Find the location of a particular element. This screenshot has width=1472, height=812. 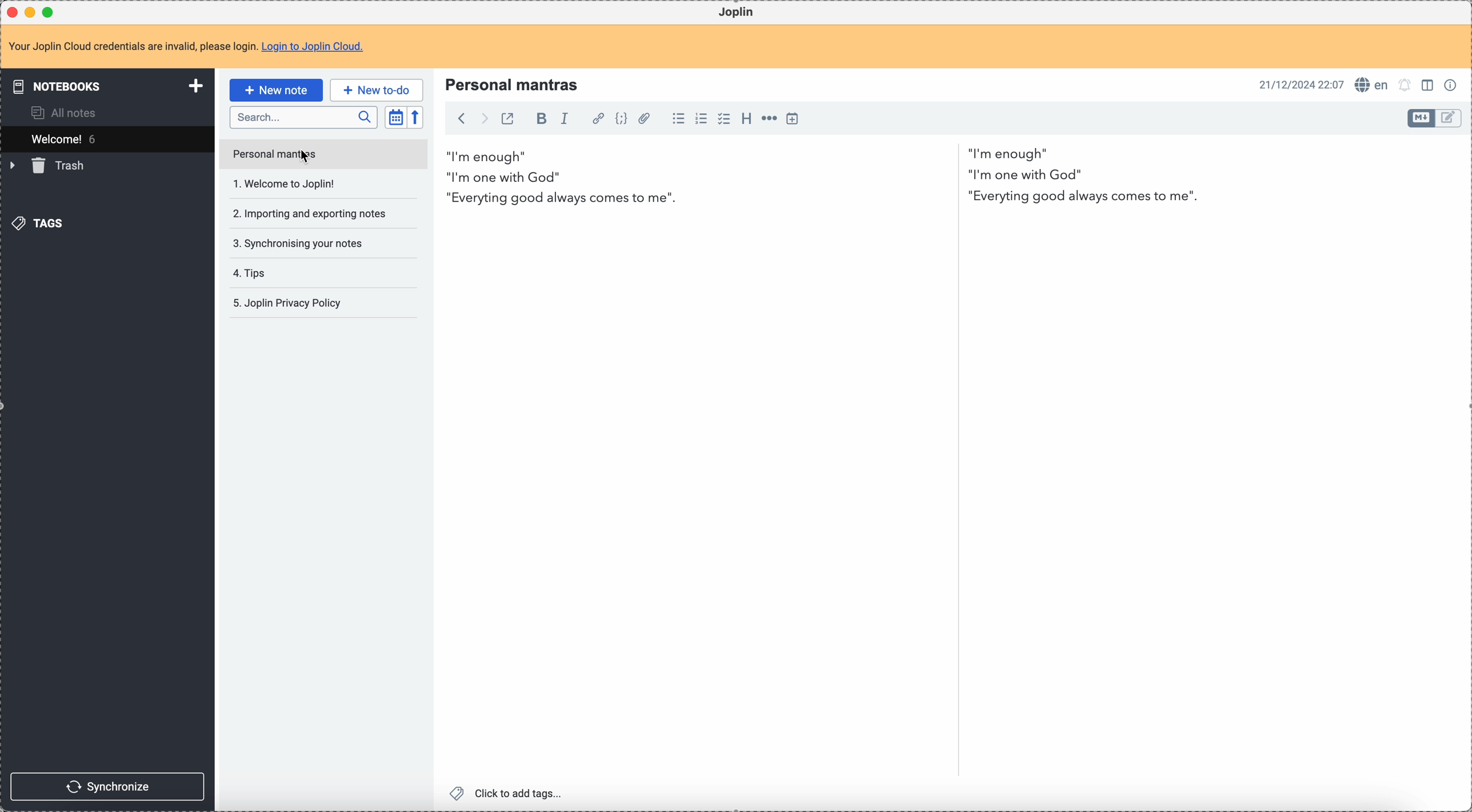

i am enough"  i'm one with God" Everything good always come to me " is located at coordinates (823, 179).